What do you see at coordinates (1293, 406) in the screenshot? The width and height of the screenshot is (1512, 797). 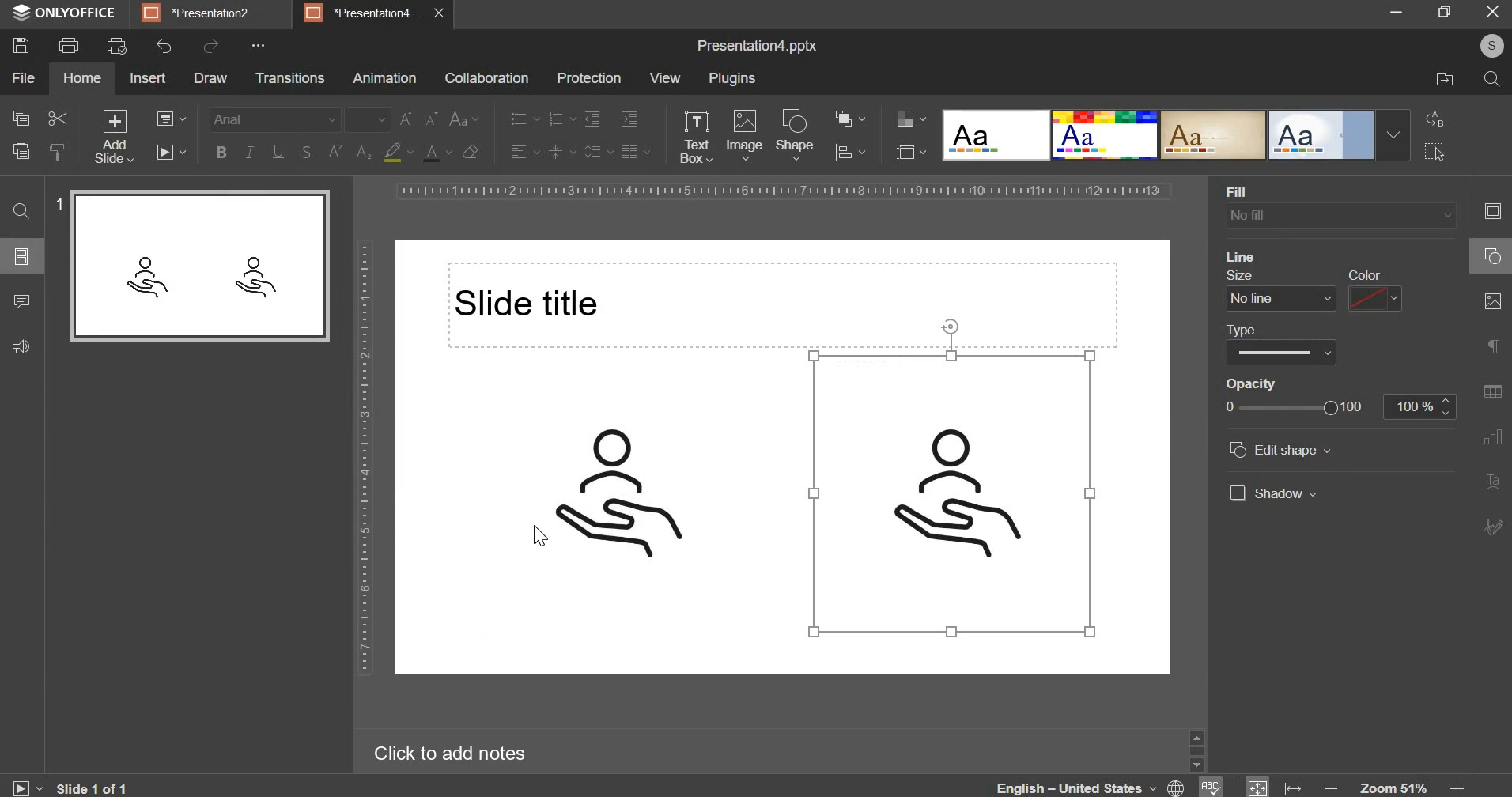 I see `opacity slider` at bounding box center [1293, 406].